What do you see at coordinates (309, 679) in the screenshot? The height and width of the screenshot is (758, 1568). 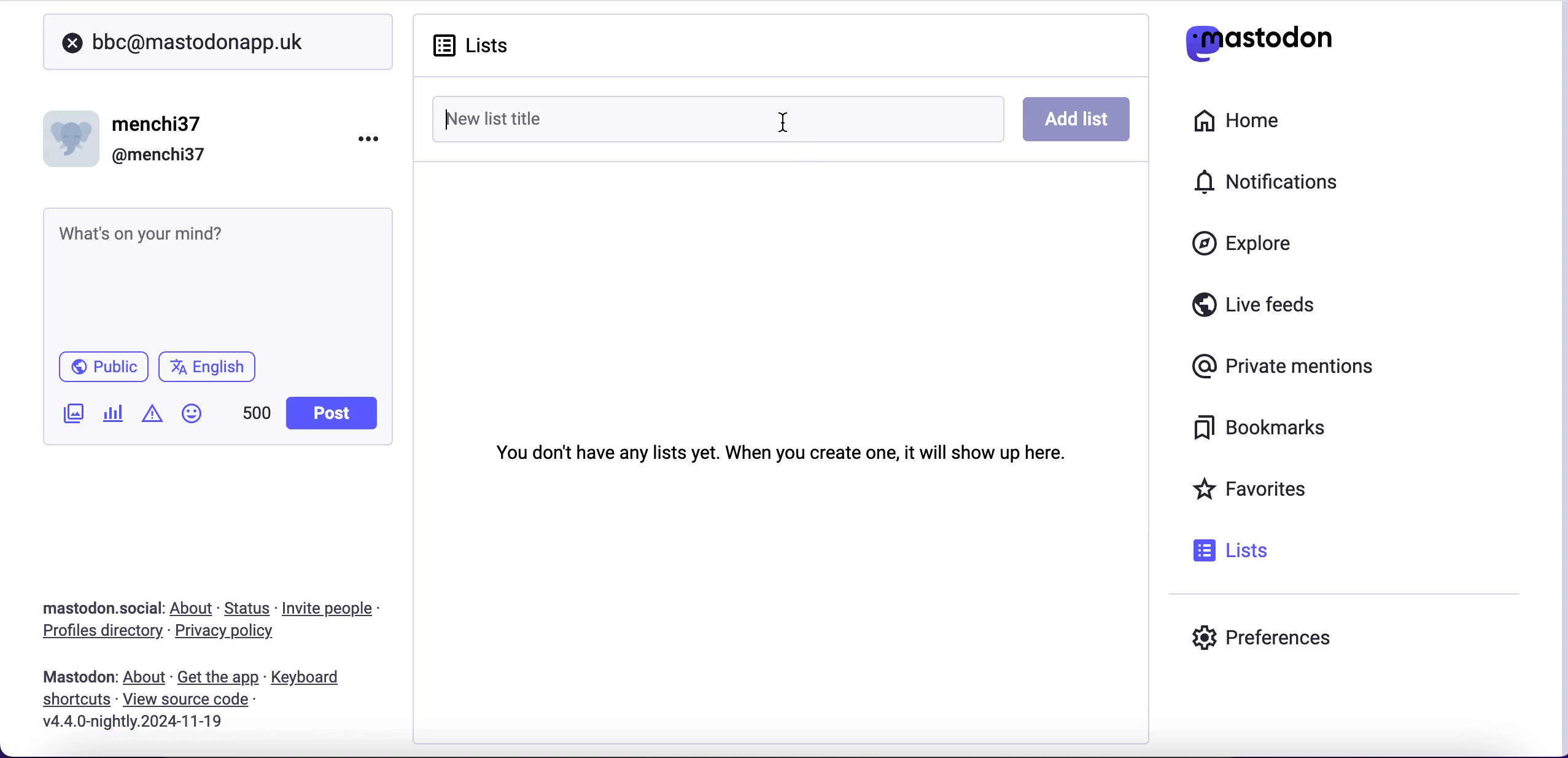 I see `keyboard` at bounding box center [309, 679].